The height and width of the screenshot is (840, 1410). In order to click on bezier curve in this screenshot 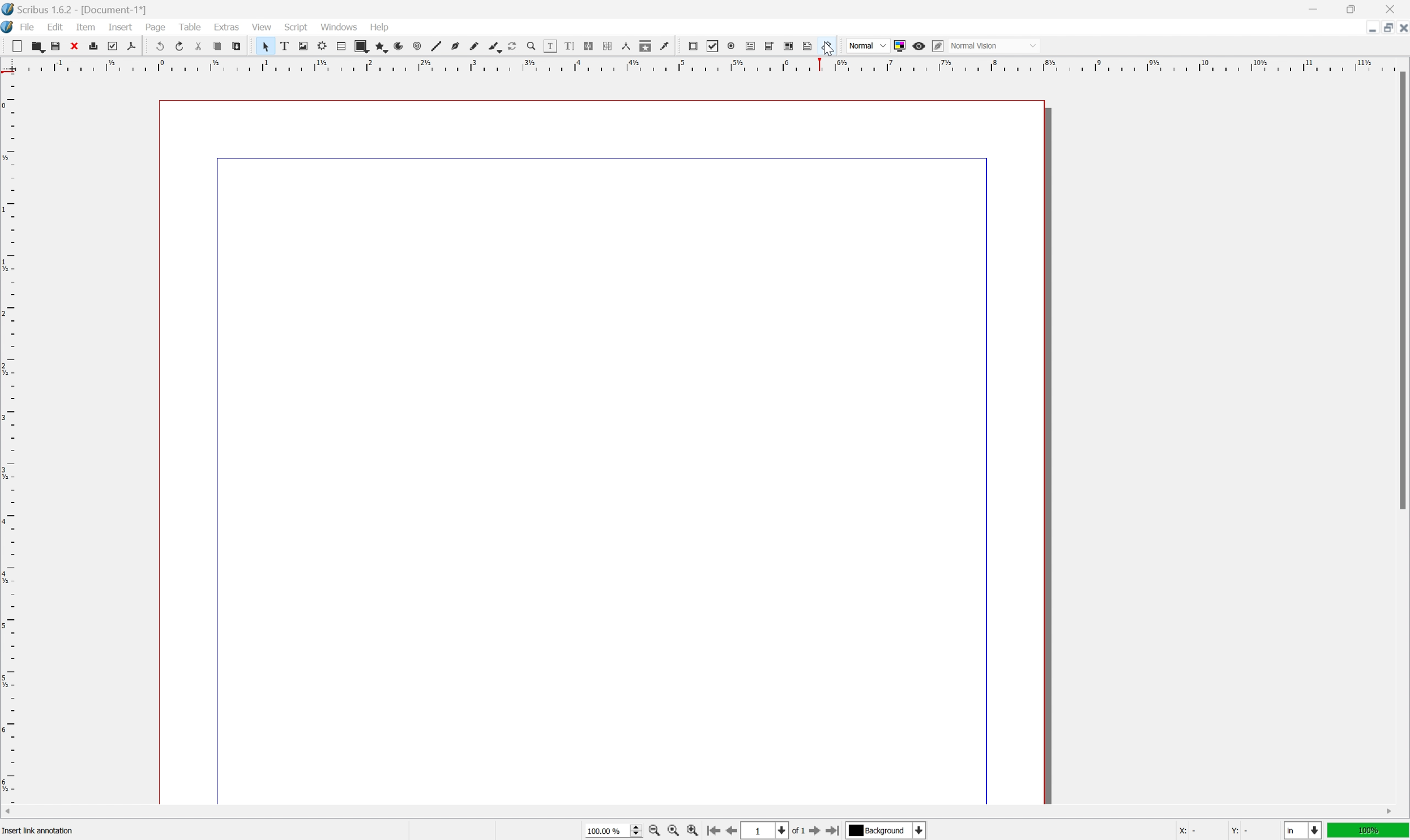, I will do `click(455, 46)`.